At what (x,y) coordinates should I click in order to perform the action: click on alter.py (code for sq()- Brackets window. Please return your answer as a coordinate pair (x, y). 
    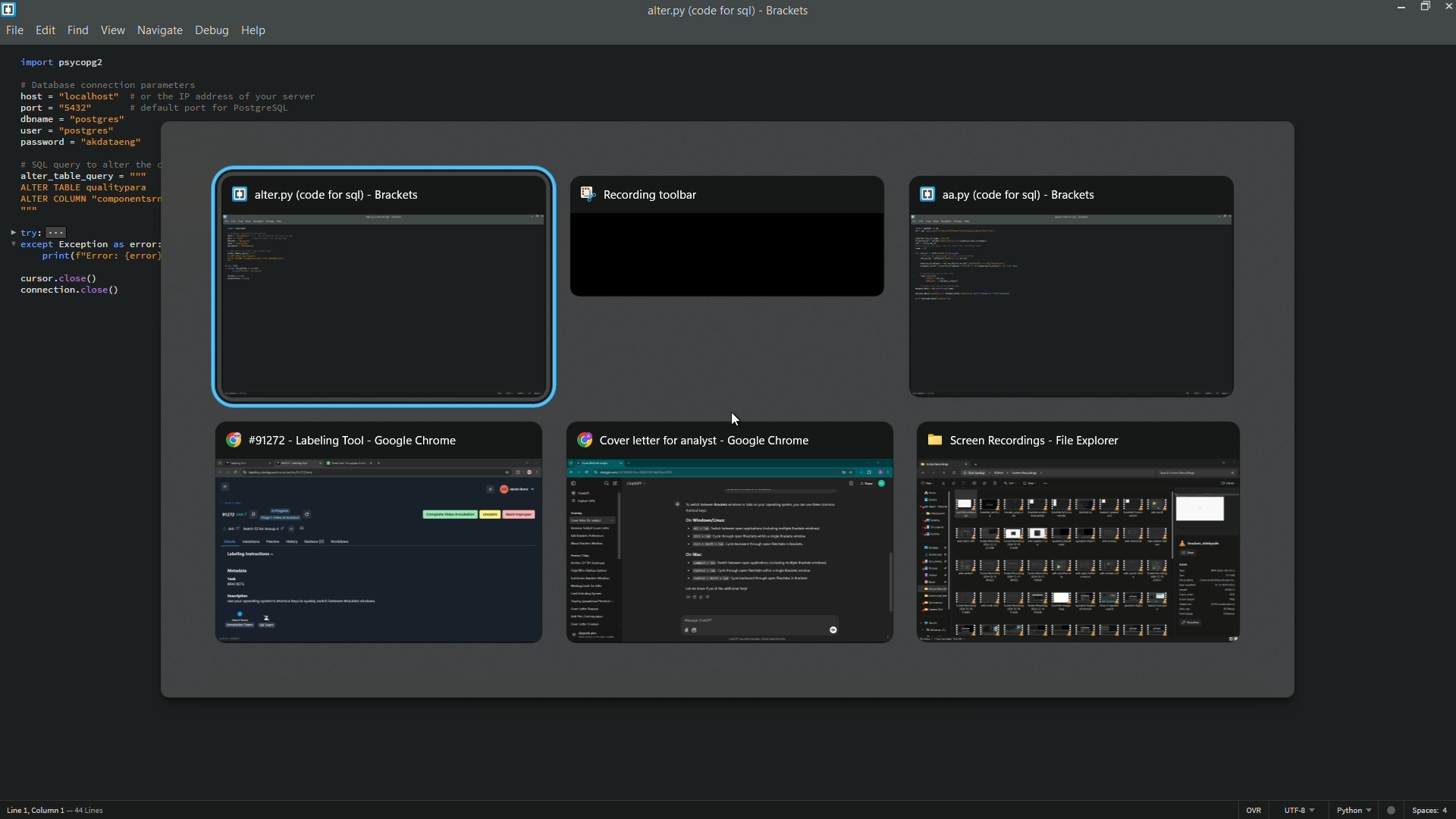
    Looking at the image, I should click on (384, 286).